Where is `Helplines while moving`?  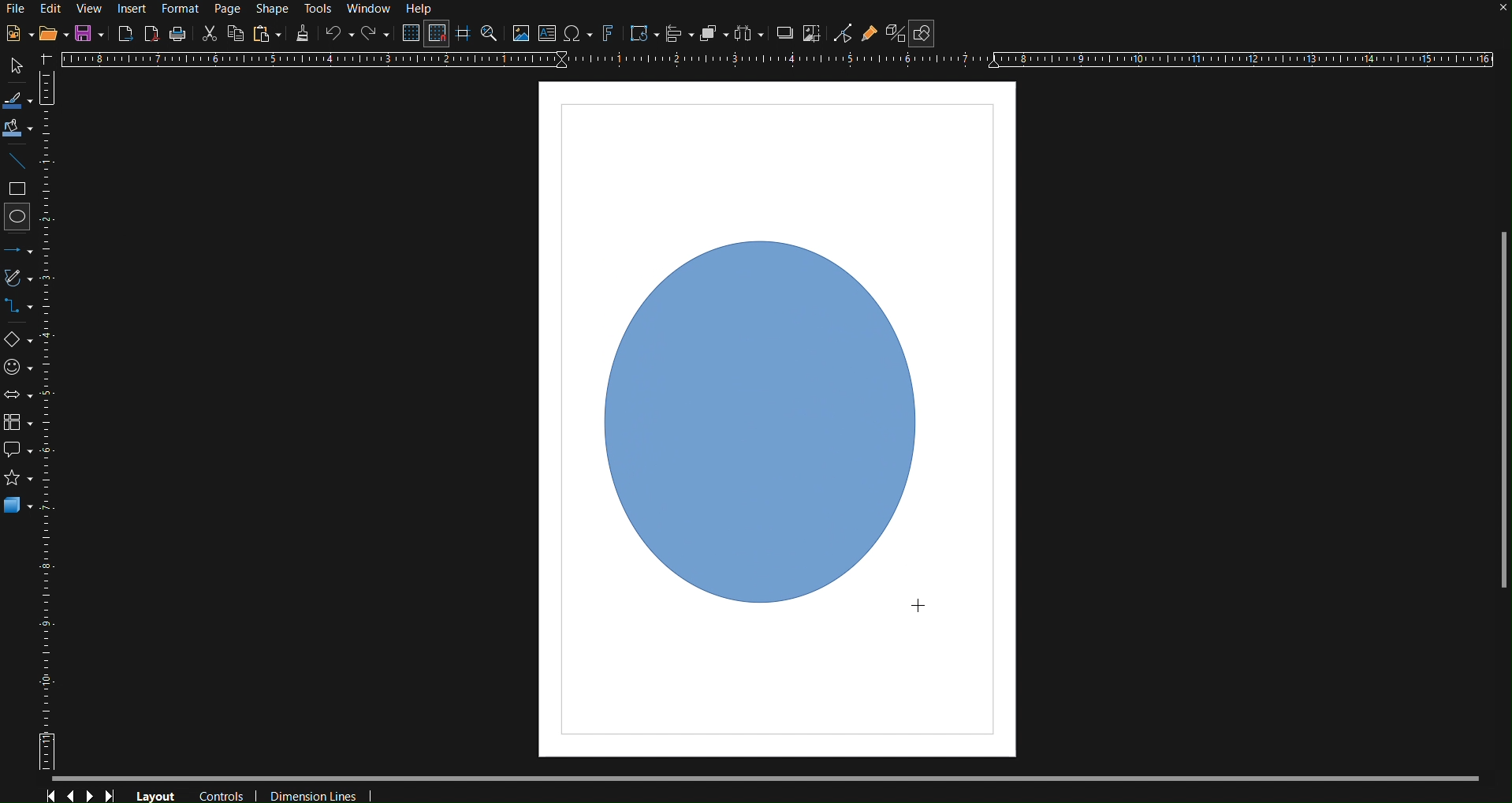 Helplines while moving is located at coordinates (462, 34).